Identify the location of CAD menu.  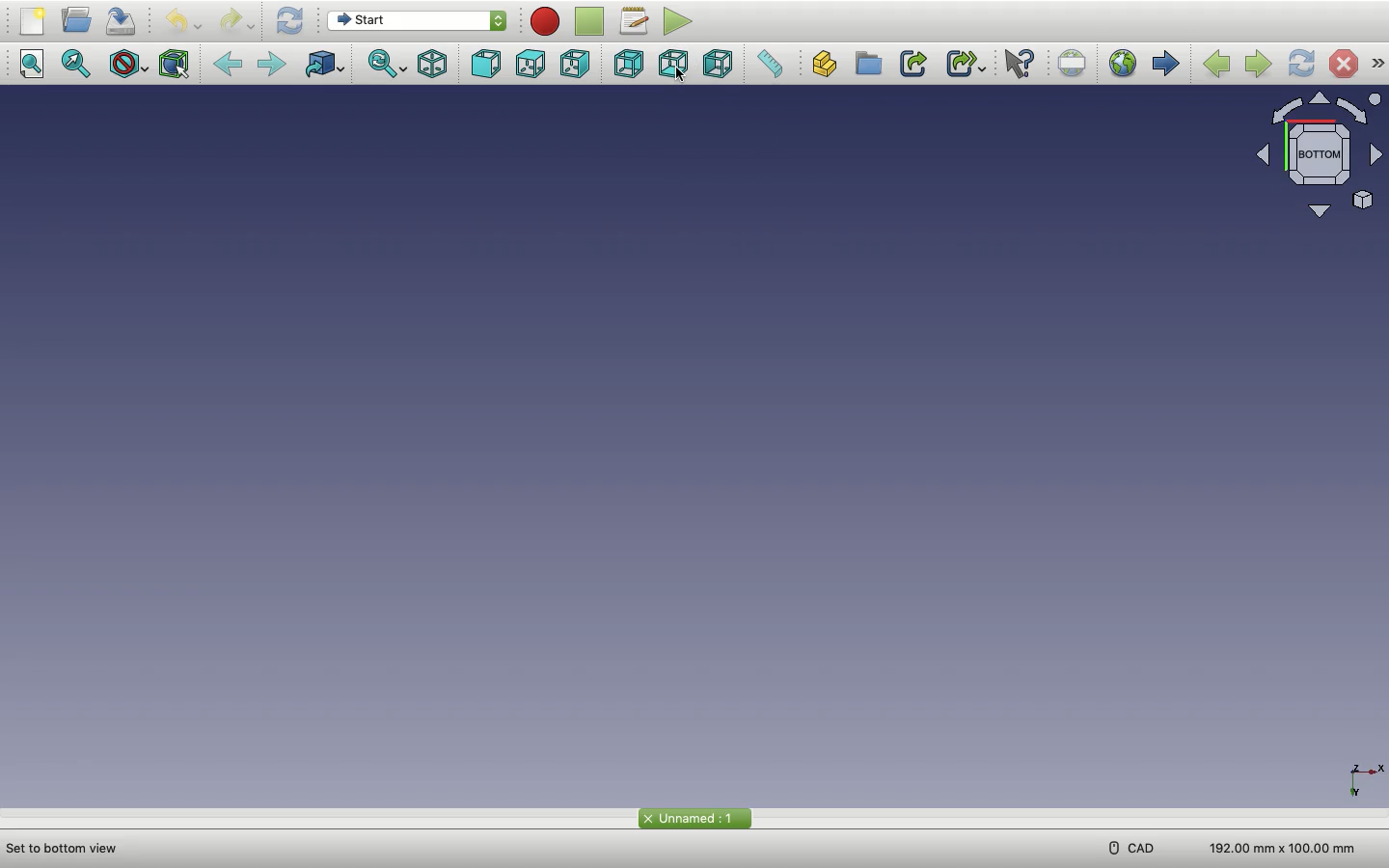
(1130, 848).